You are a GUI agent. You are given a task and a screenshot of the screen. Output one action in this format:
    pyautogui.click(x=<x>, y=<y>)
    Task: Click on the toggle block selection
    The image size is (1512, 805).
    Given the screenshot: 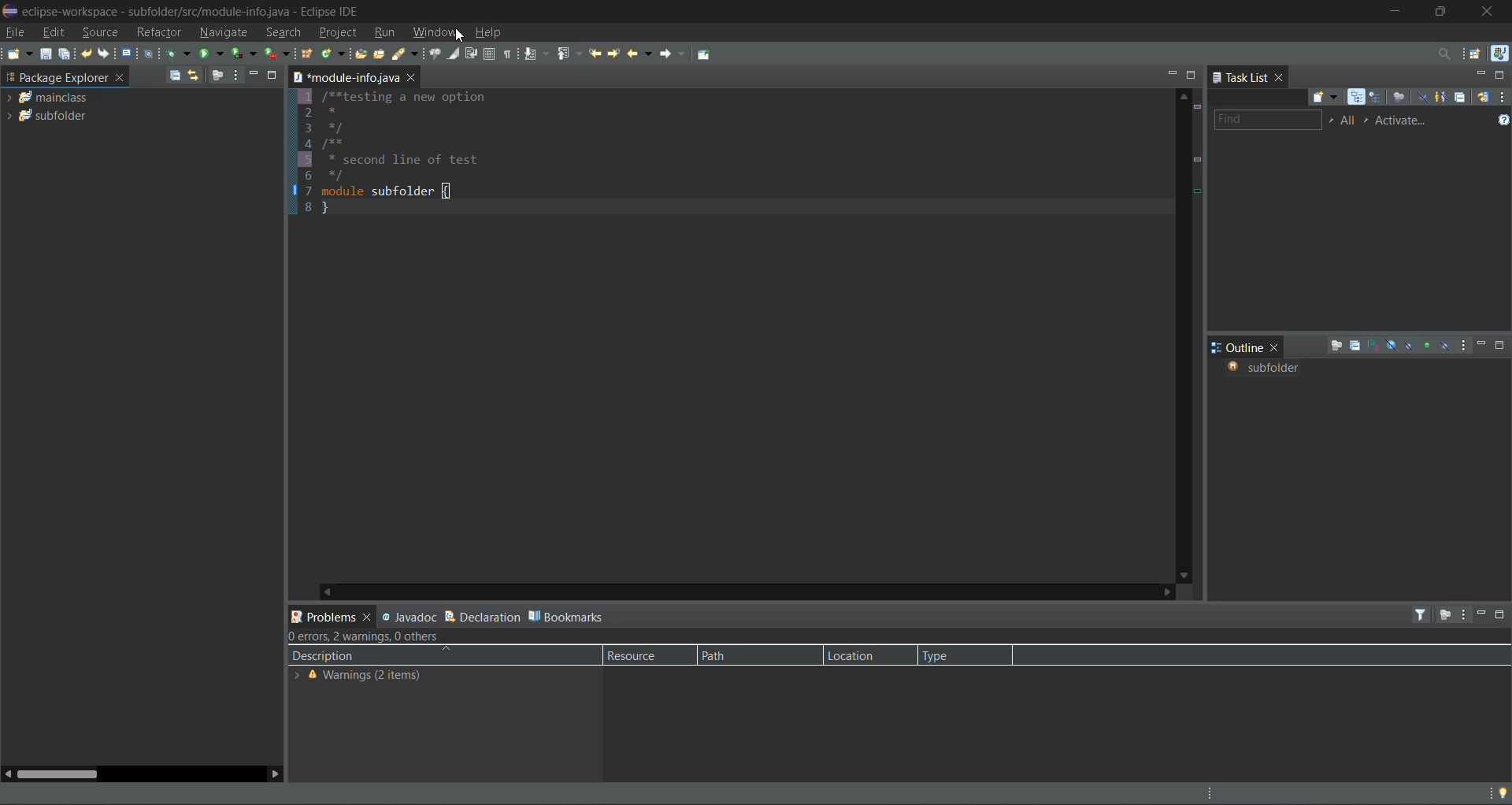 What is the action you would take?
    pyautogui.click(x=487, y=54)
    